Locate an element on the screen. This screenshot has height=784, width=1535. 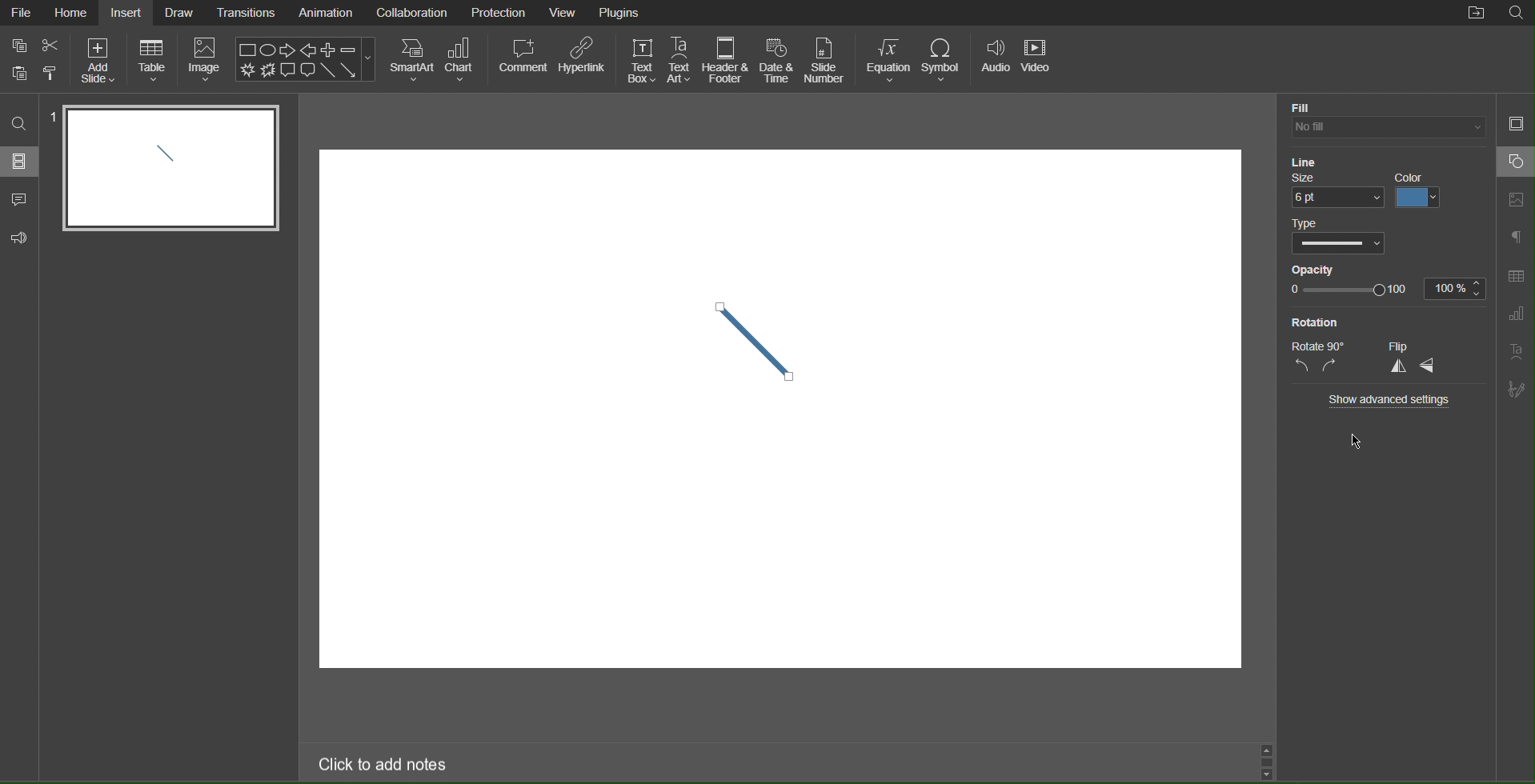
Plugins is located at coordinates (622, 13).